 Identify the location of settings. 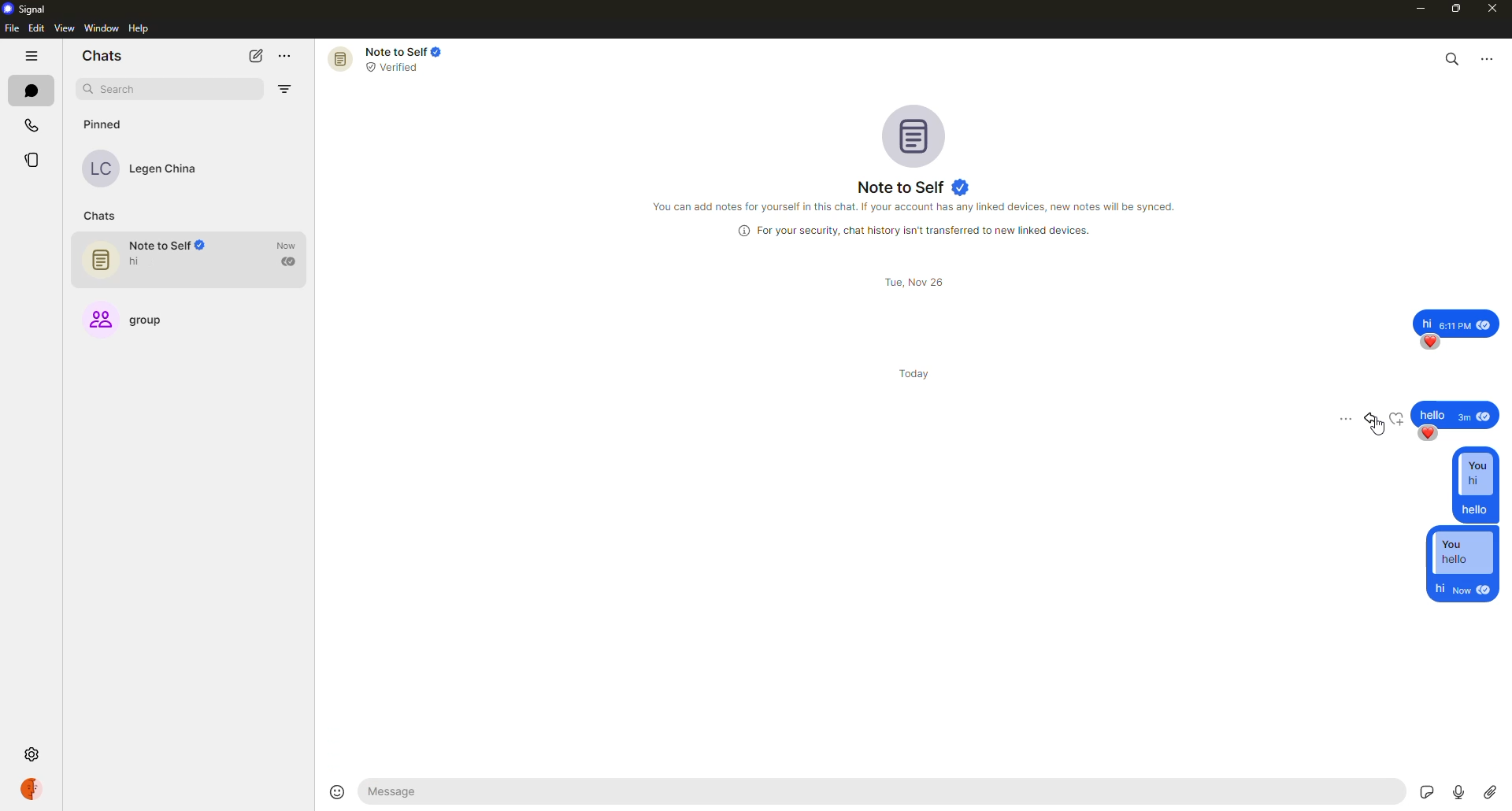
(33, 752).